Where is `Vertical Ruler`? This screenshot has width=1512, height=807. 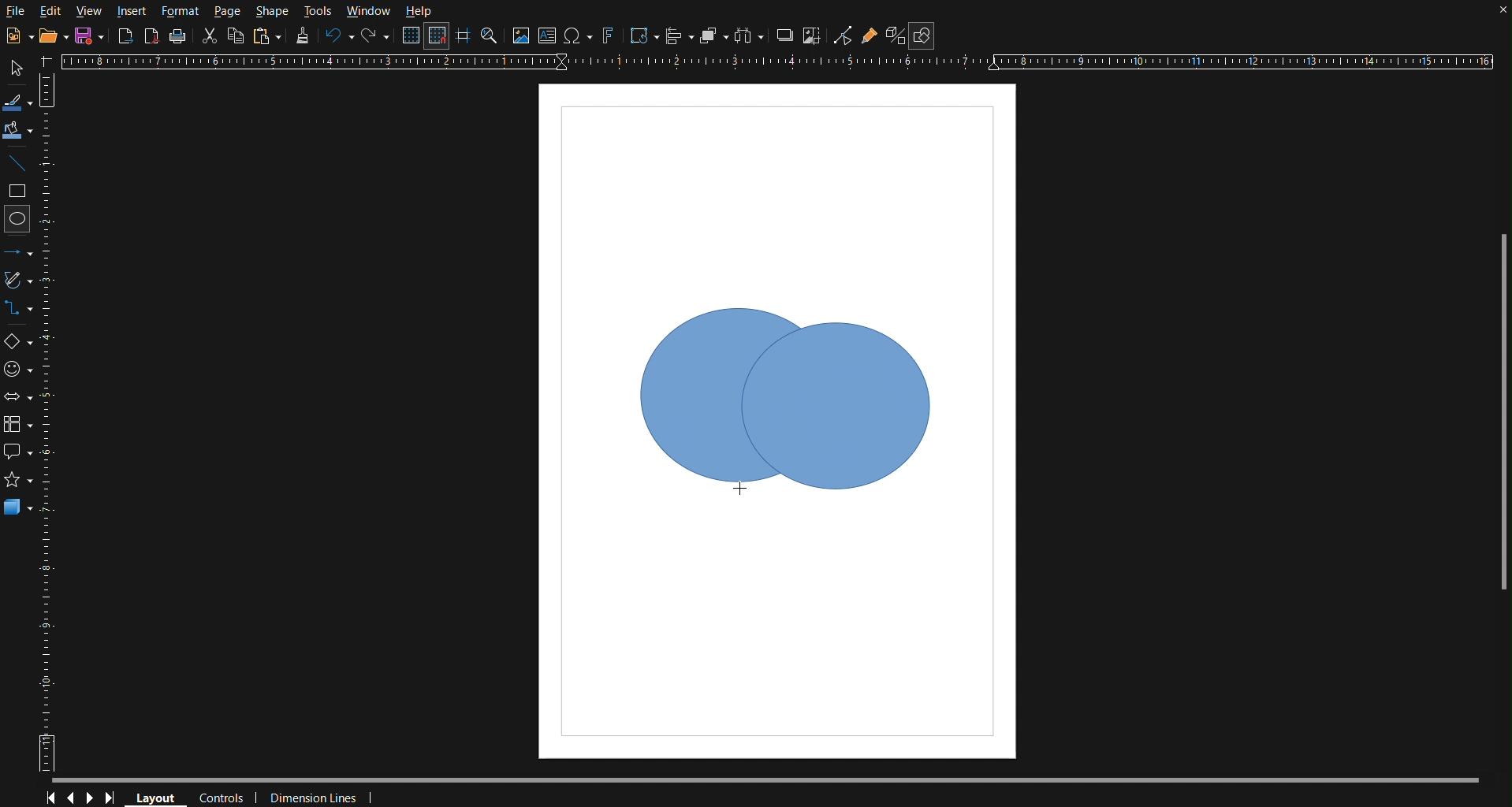 Vertical Ruler is located at coordinates (52, 425).